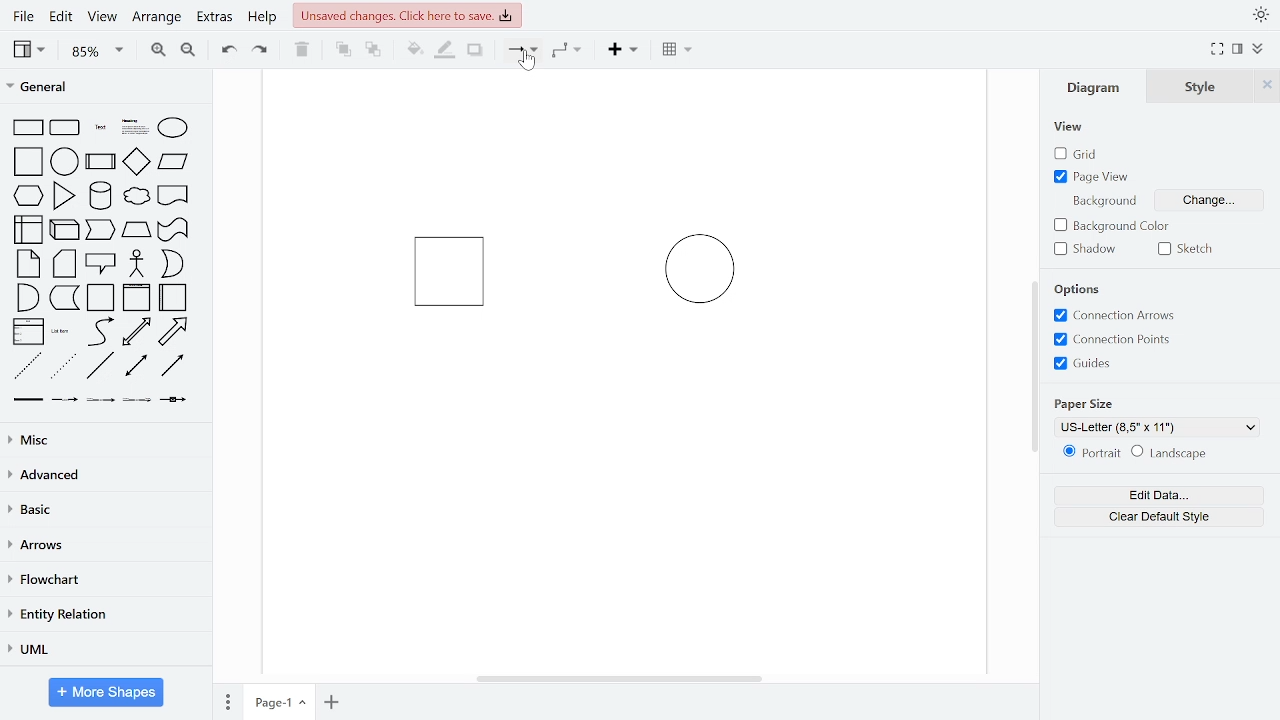 This screenshot has height=720, width=1280. Describe the element at coordinates (66, 264) in the screenshot. I see `card` at that location.